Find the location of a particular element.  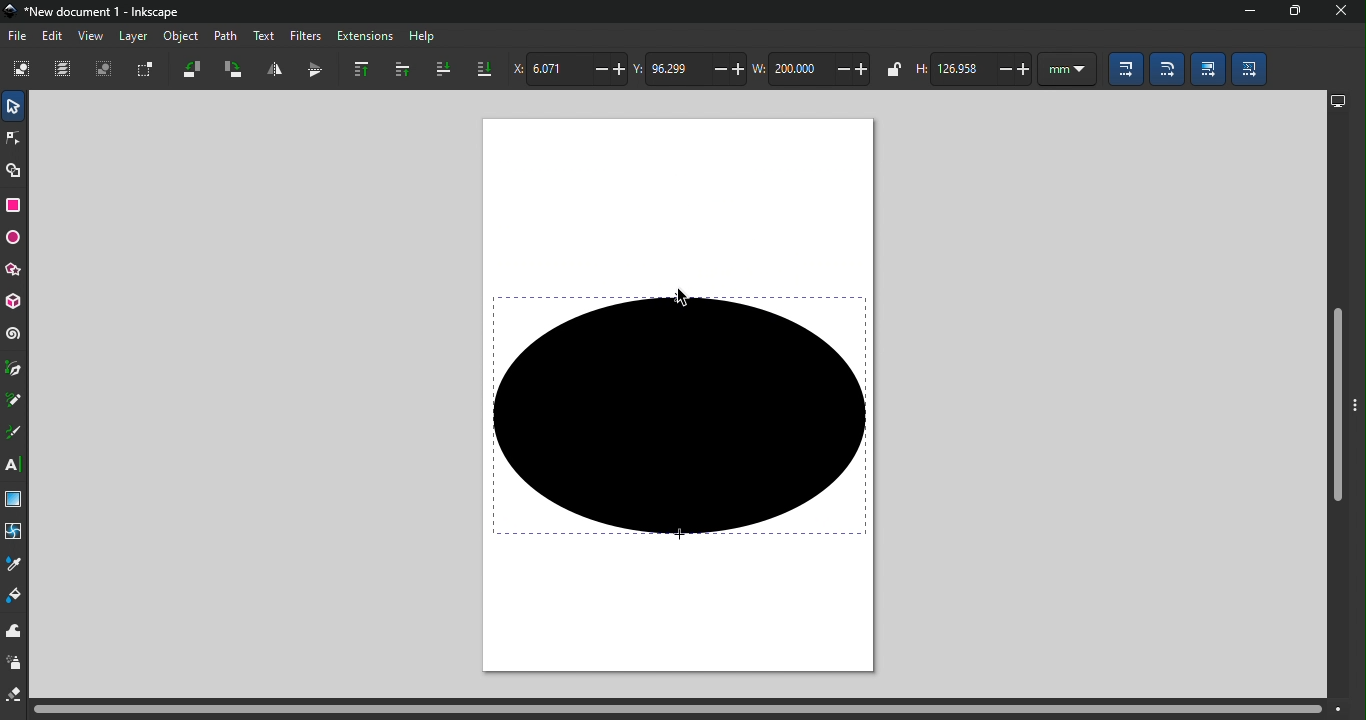

spray is located at coordinates (15, 664).